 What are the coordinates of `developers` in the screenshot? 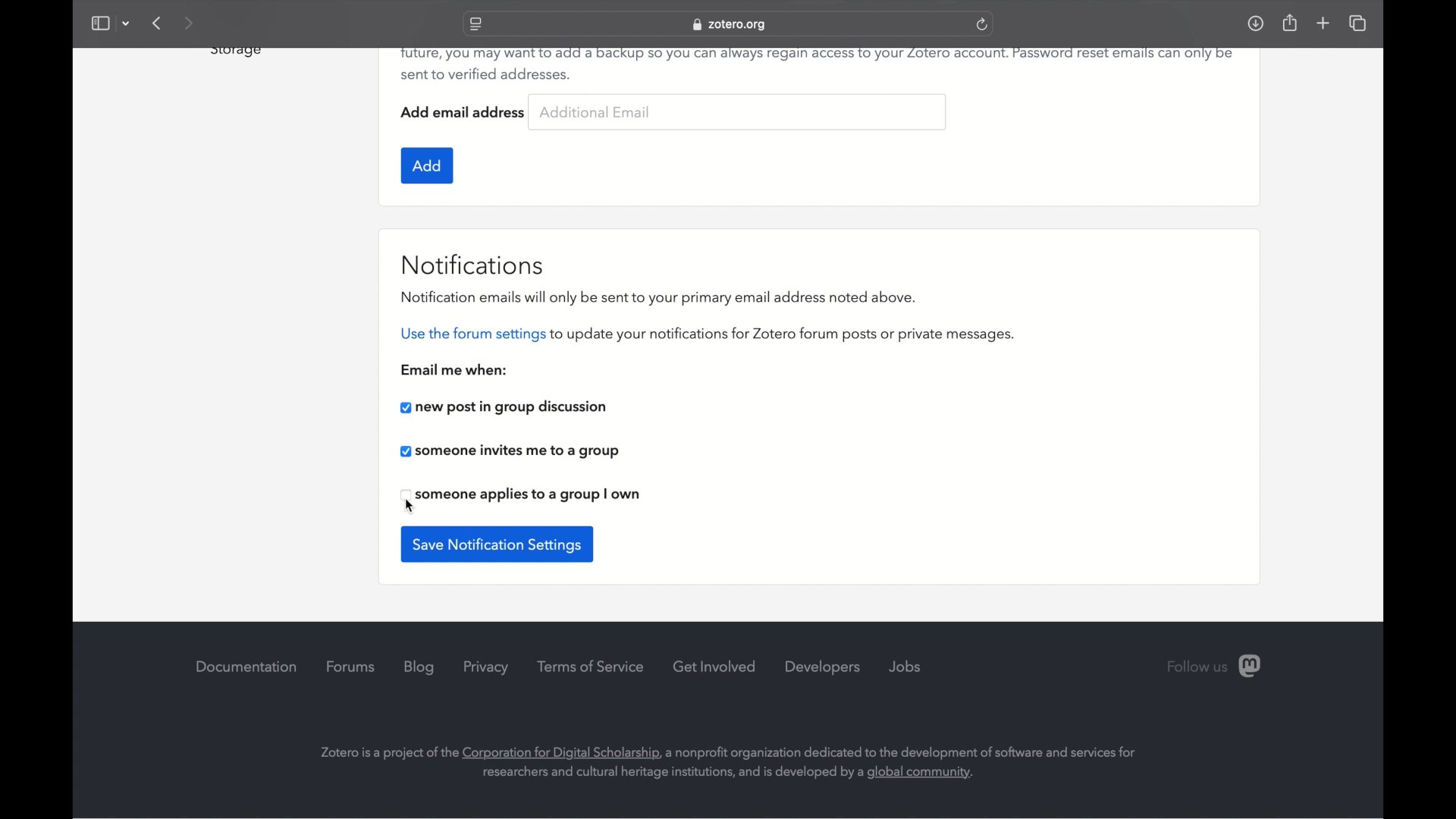 It's located at (824, 667).